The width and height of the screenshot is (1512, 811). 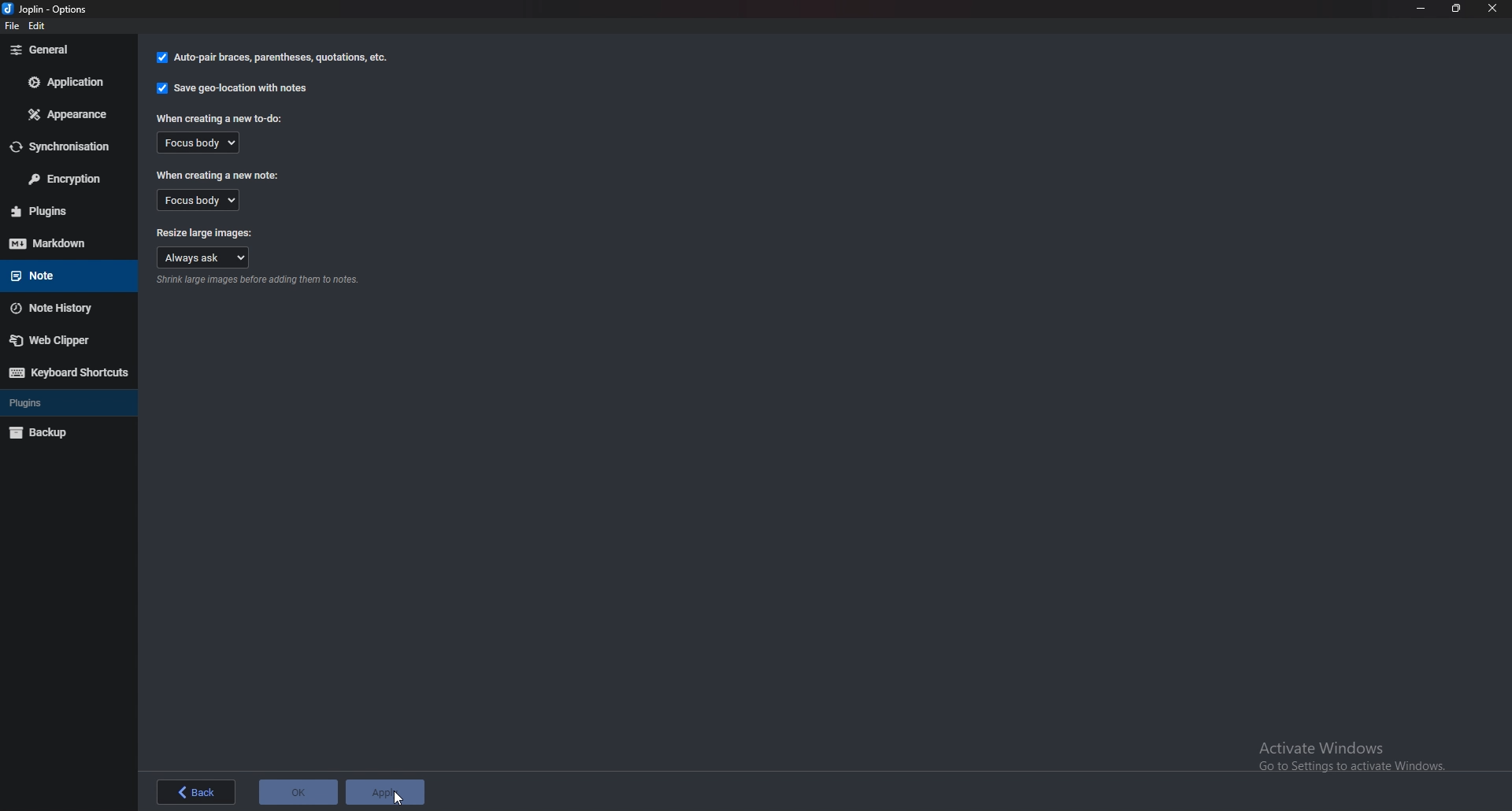 What do you see at coordinates (66, 309) in the screenshot?
I see `Note history` at bounding box center [66, 309].